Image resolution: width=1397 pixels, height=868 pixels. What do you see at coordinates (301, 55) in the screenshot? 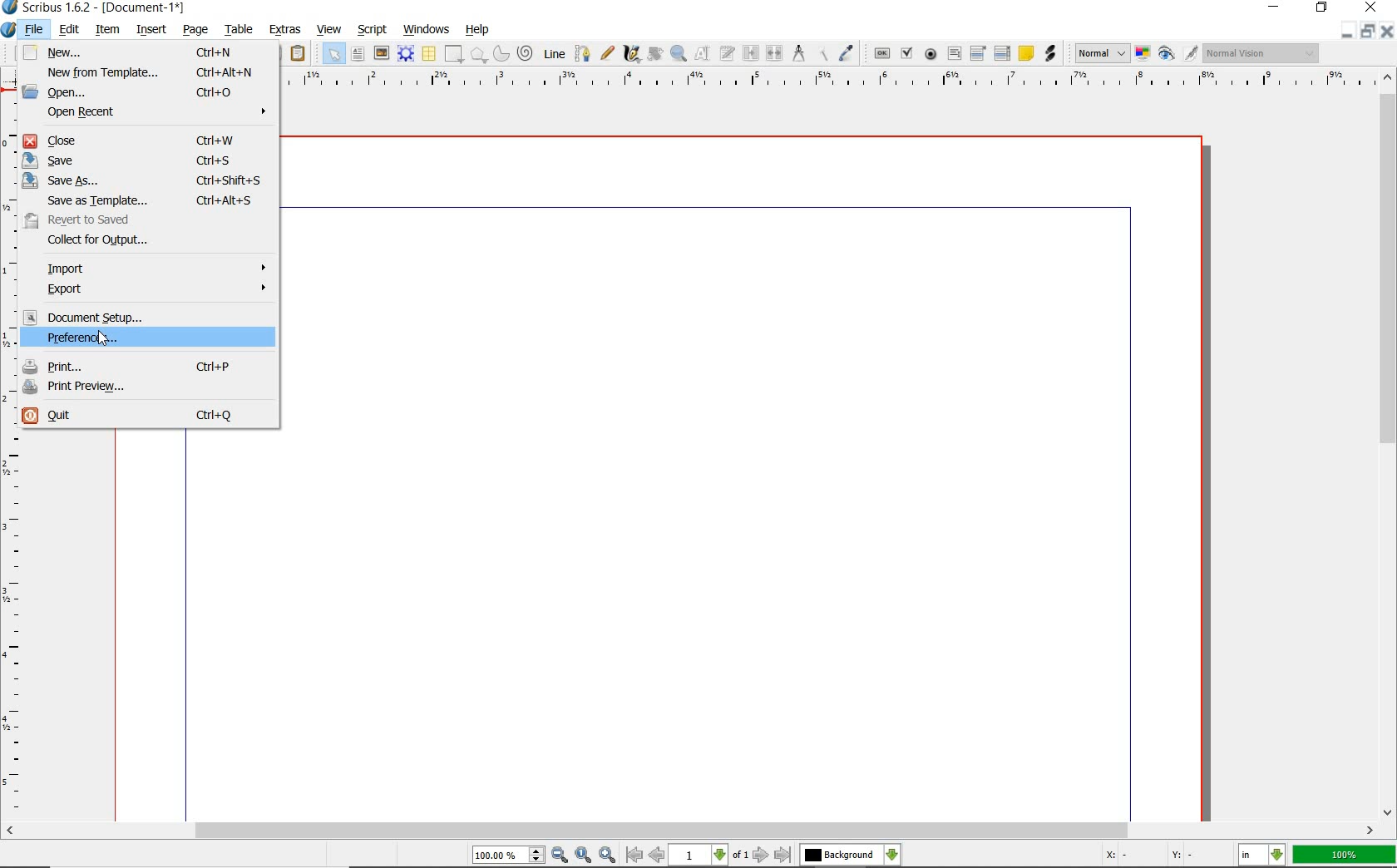
I see `paste` at bounding box center [301, 55].